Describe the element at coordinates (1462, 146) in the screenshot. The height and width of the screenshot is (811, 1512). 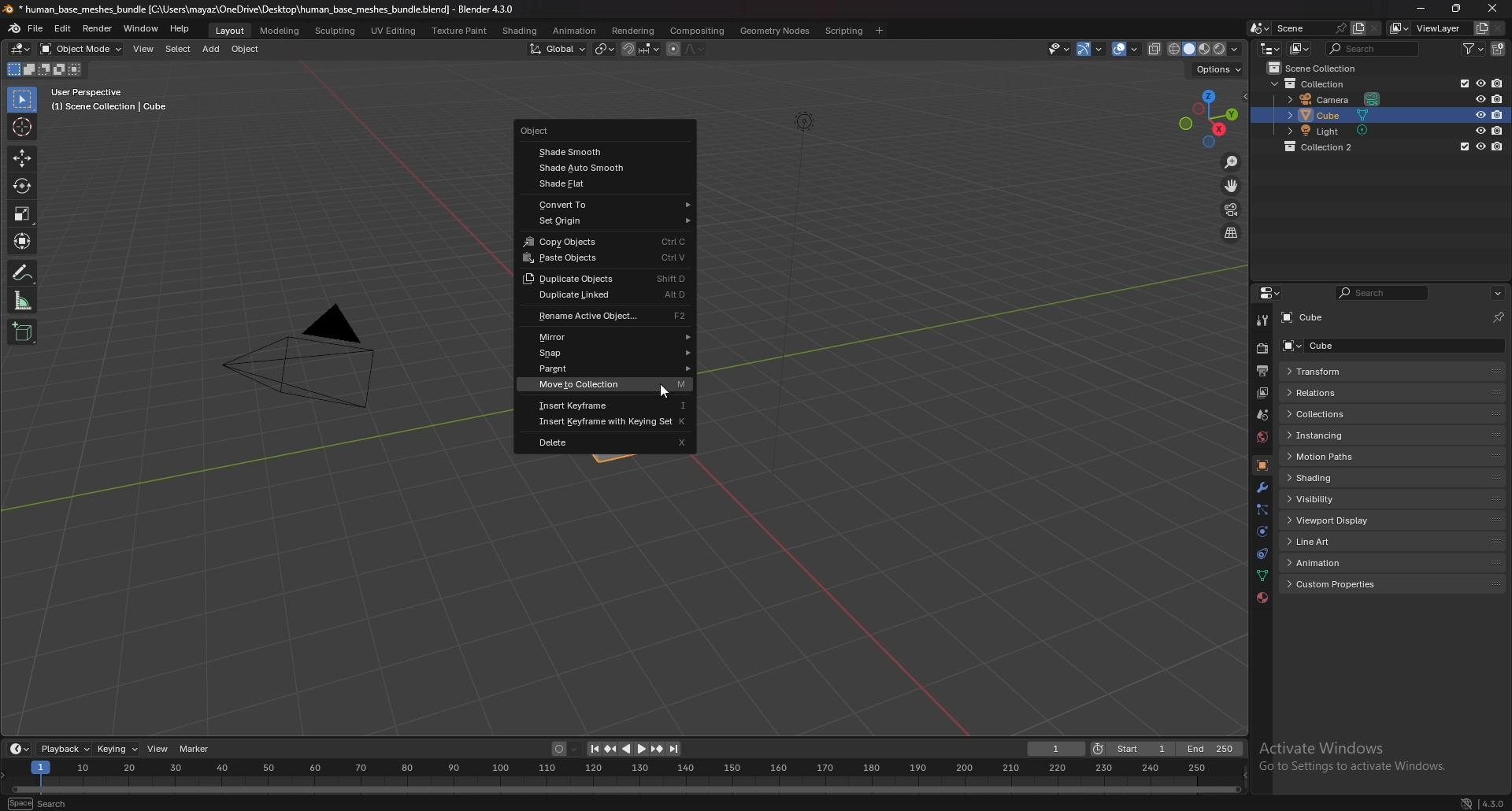
I see `exclude from view layer` at that location.